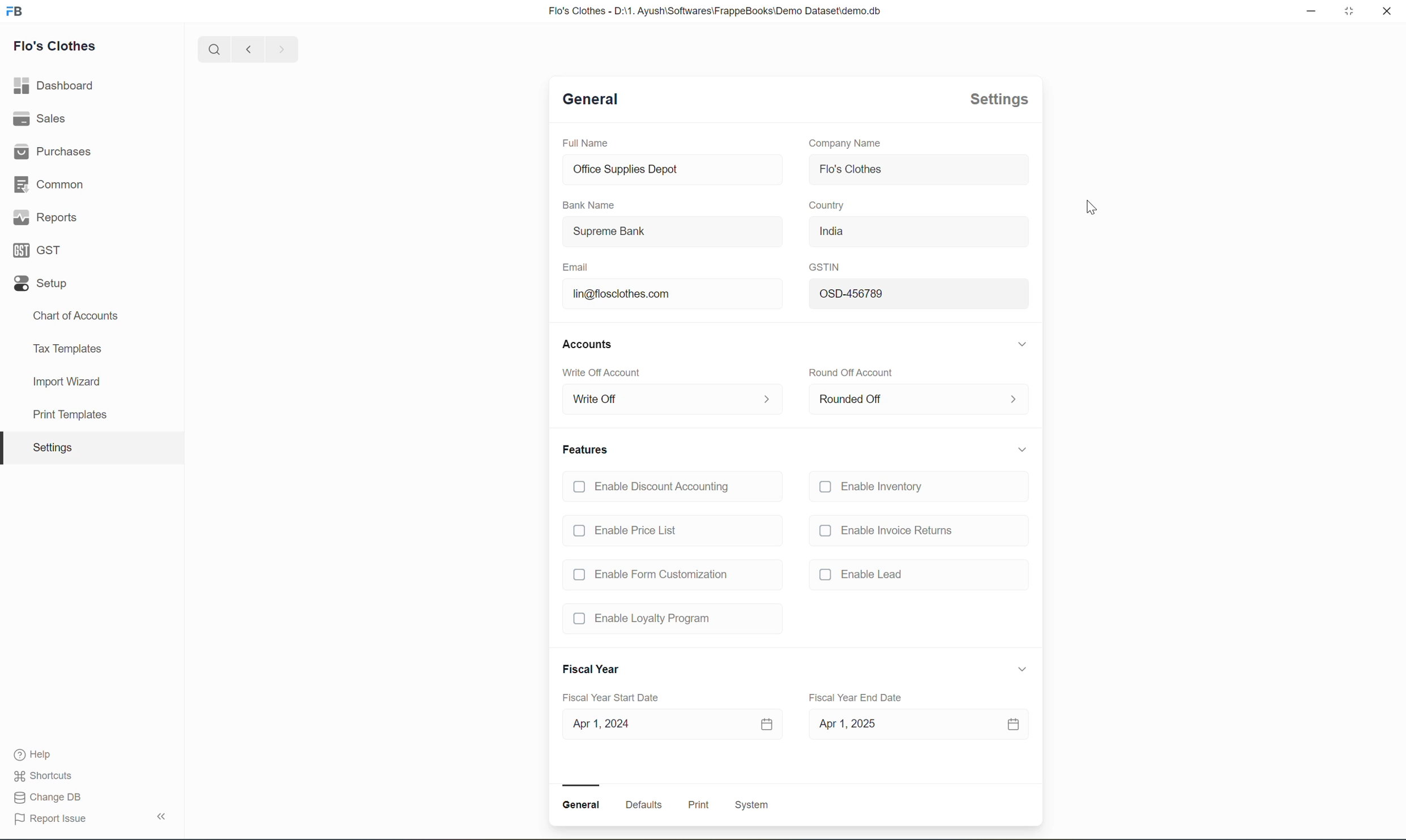  What do you see at coordinates (918, 293) in the screenshot?
I see `OSD-456789` at bounding box center [918, 293].